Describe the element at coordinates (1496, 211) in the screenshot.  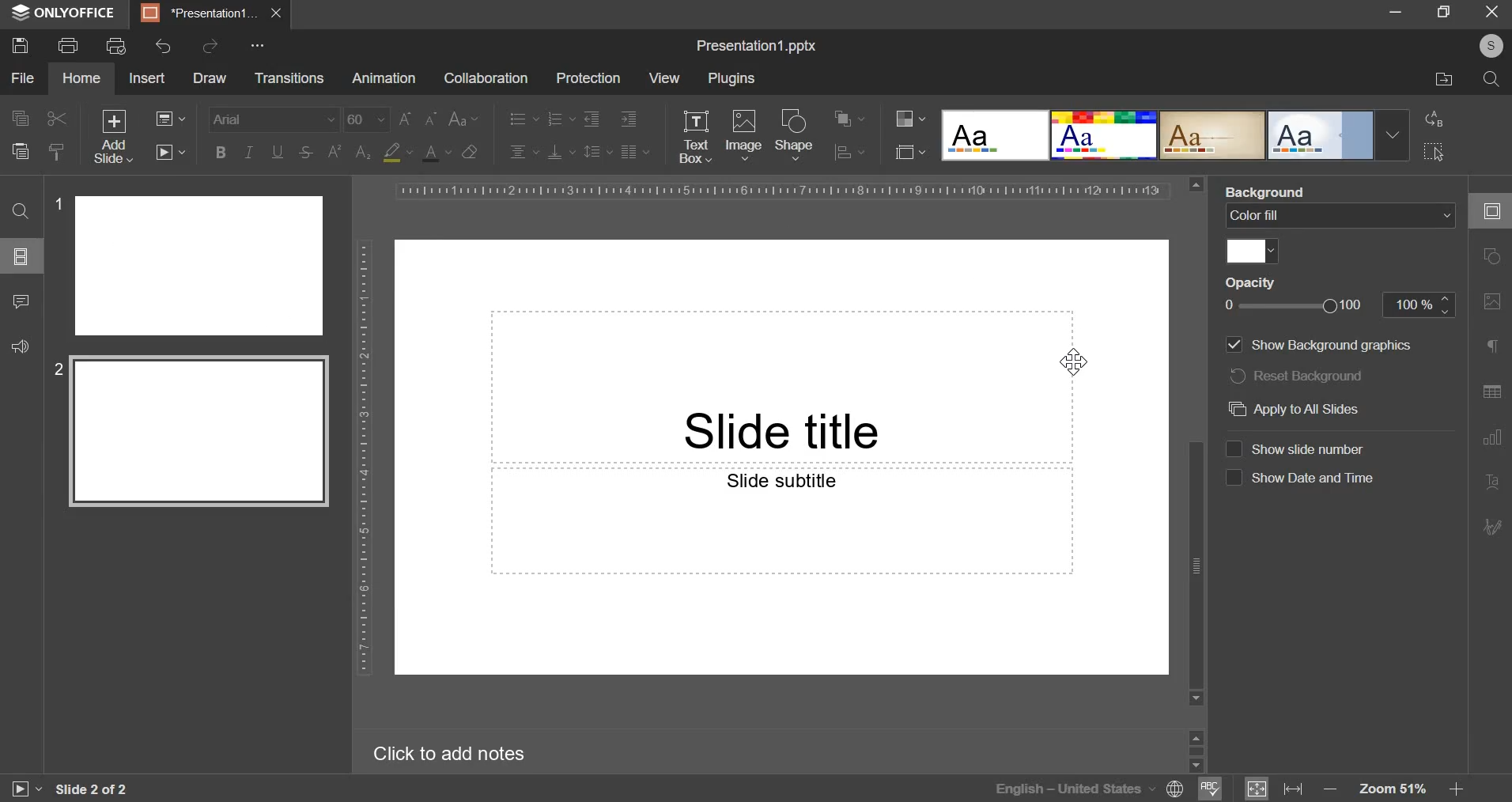
I see `slide settings` at that location.